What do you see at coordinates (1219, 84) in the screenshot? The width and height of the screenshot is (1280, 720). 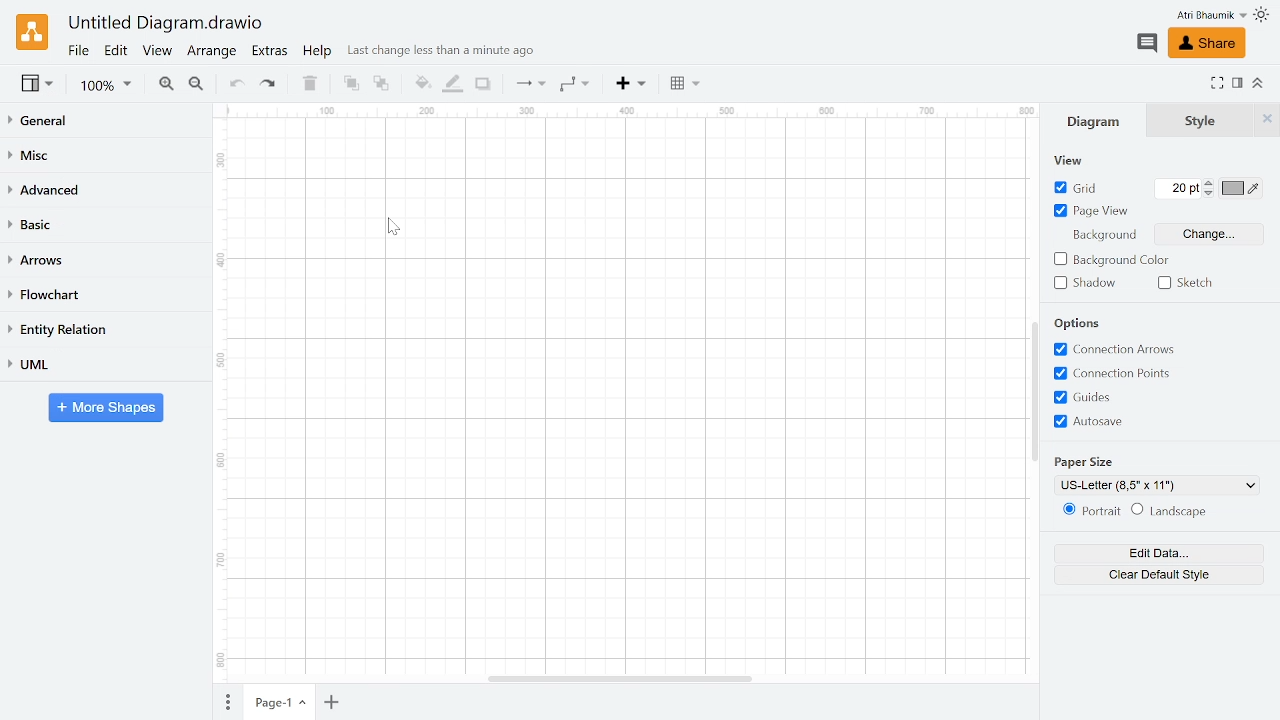 I see `Fullscreen` at bounding box center [1219, 84].